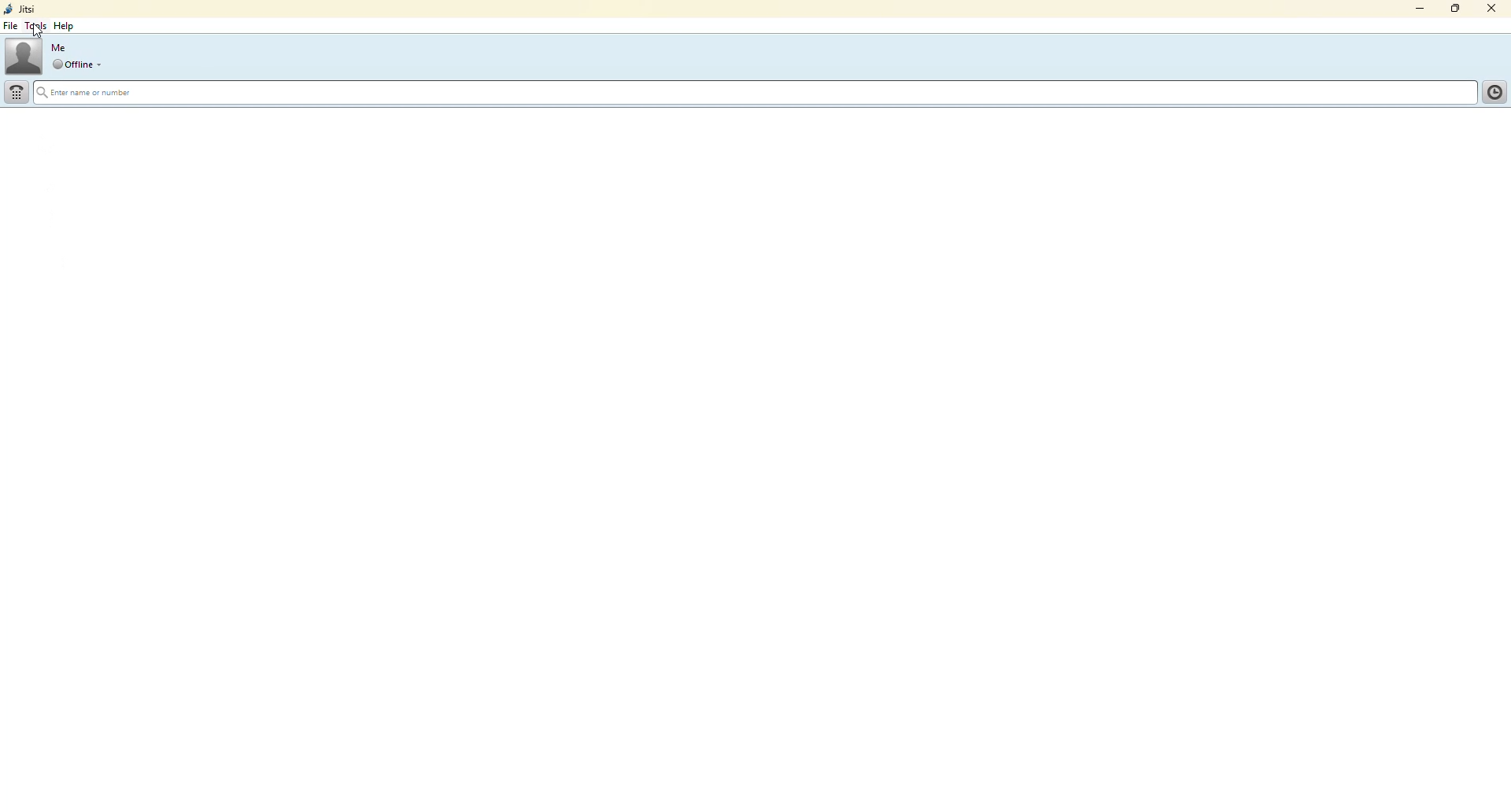  I want to click on tools, so click(36, 26).